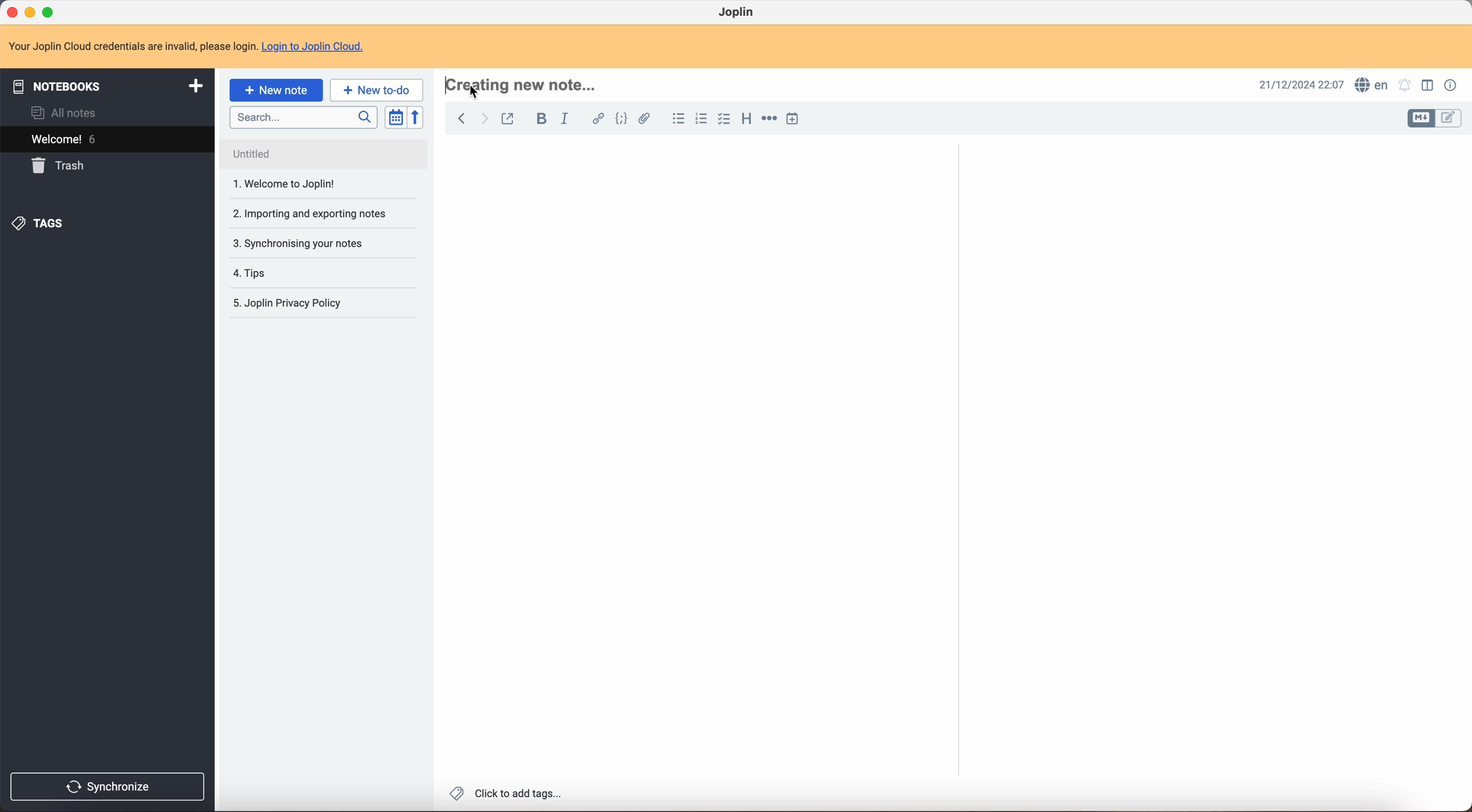  I want to click on Joplin privacy policy, so click(291, 273).